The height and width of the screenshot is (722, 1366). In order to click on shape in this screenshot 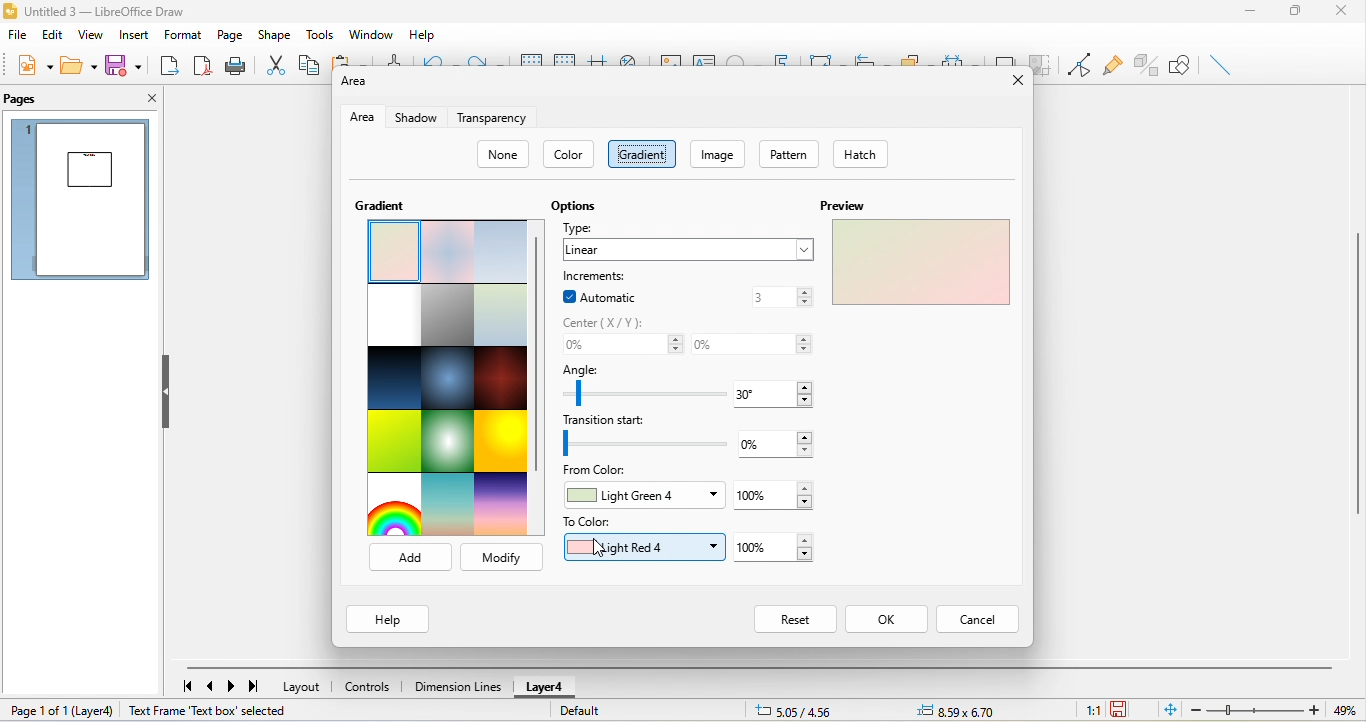, I will do `click(273, 33)`.